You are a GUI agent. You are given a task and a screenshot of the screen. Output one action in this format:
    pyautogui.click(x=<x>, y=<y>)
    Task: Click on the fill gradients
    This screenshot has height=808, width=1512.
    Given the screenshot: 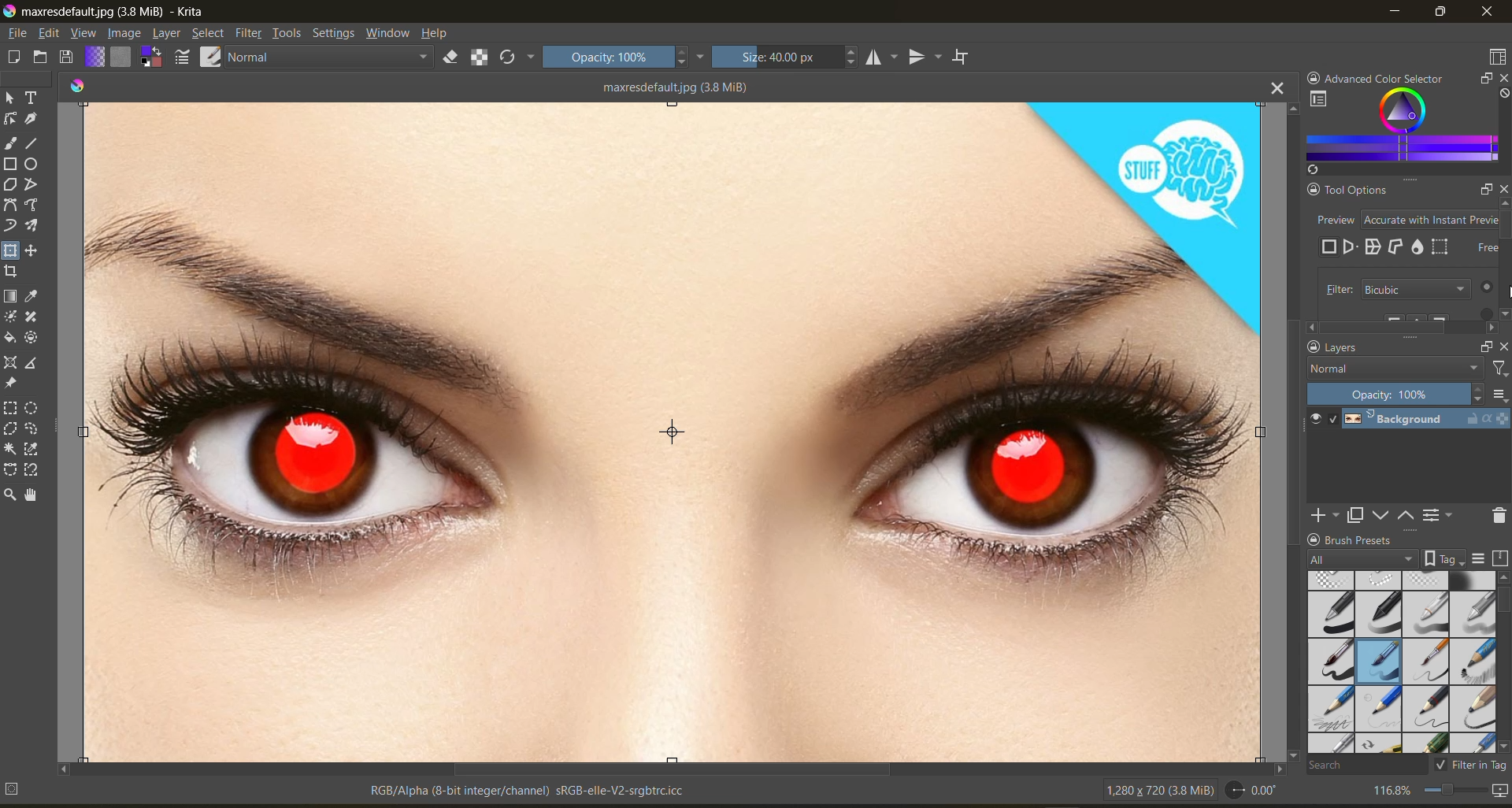 What is the action you would take?
    pyautogui.click(x=97, y=56)
    